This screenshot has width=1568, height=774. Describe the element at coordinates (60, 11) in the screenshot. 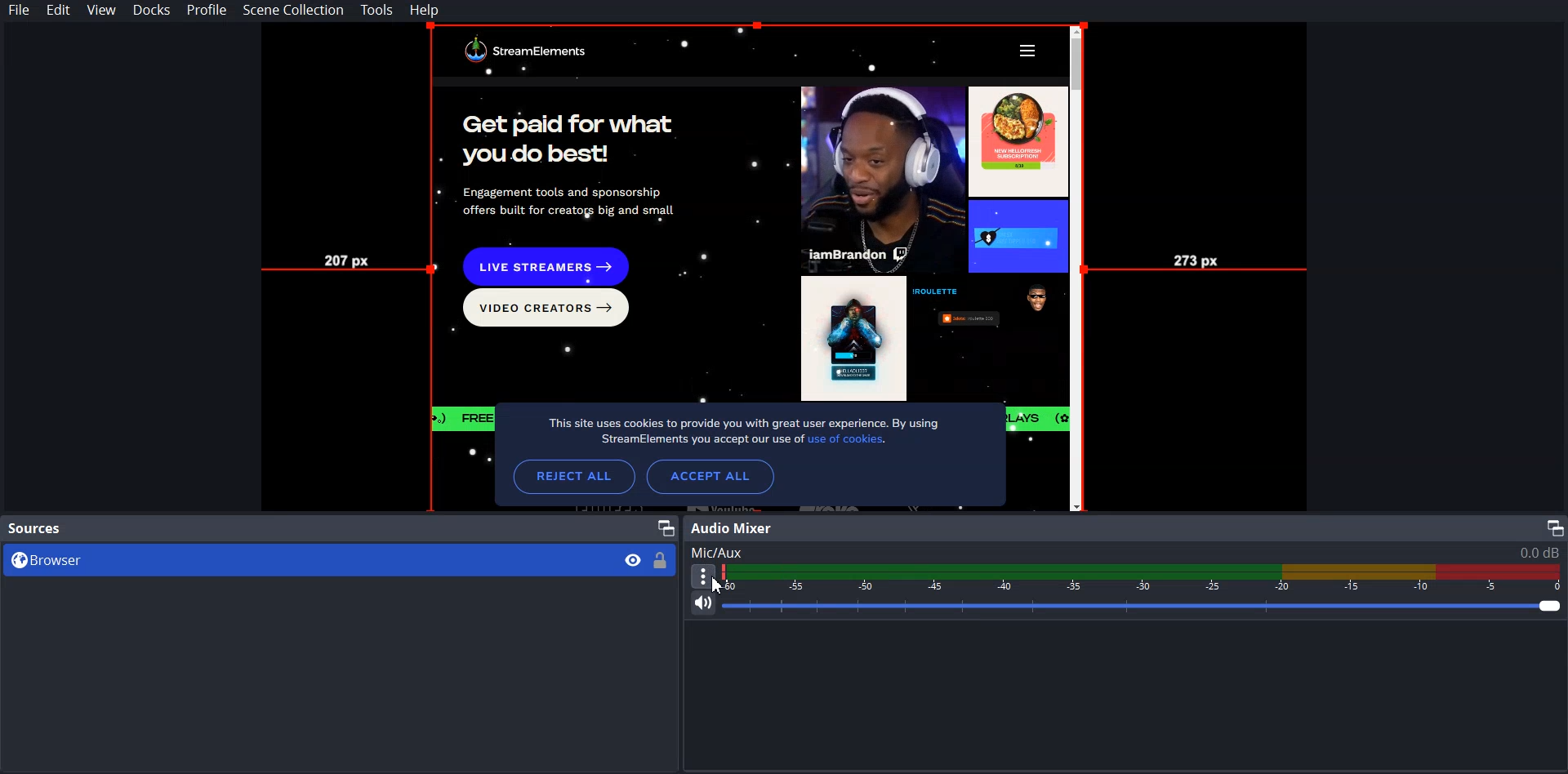

I see `Edit` at that location.